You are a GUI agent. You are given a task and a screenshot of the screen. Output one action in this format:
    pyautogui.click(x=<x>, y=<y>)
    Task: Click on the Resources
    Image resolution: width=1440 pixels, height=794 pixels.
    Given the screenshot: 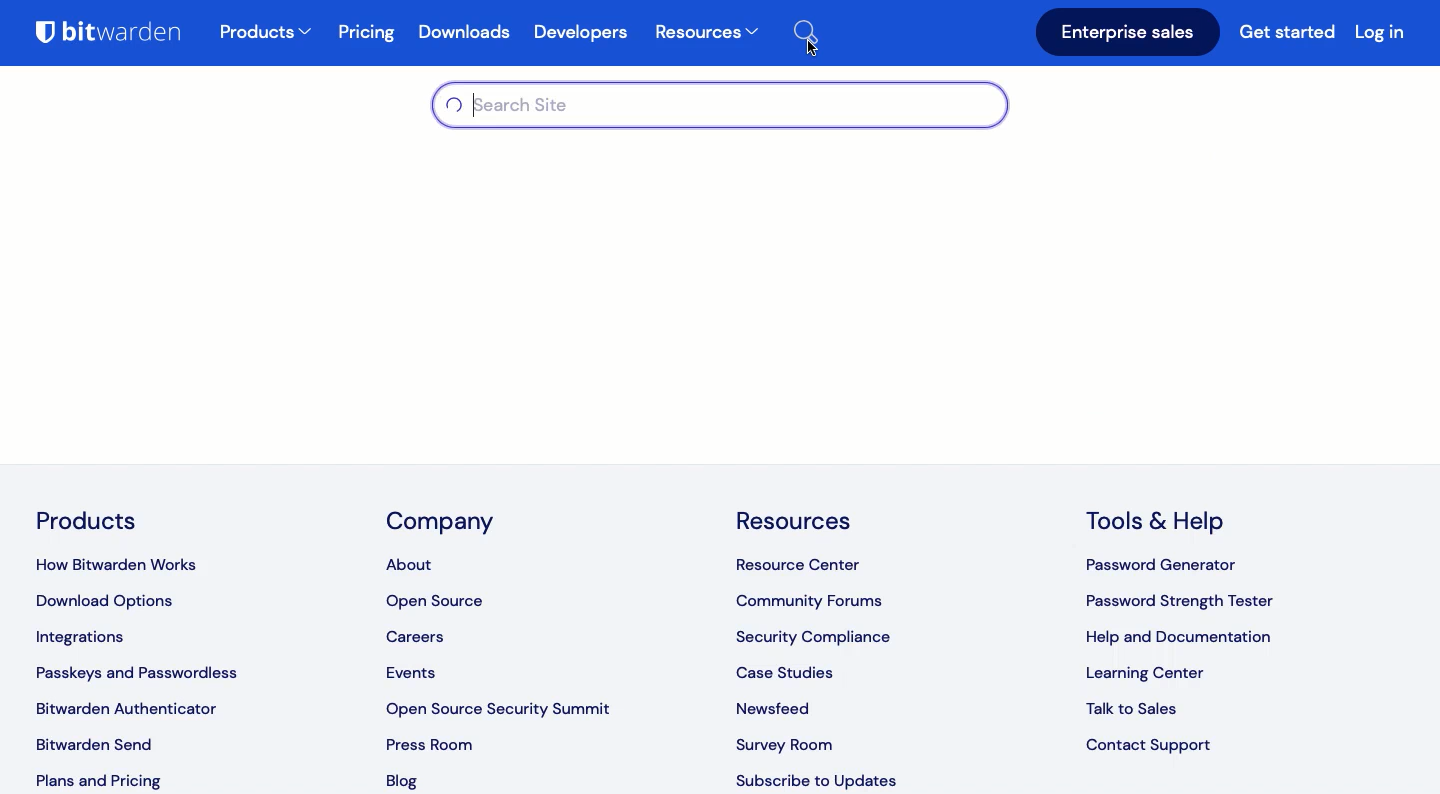 What is the action you would take?
    pyautogui.click(x=706, y=34)
    